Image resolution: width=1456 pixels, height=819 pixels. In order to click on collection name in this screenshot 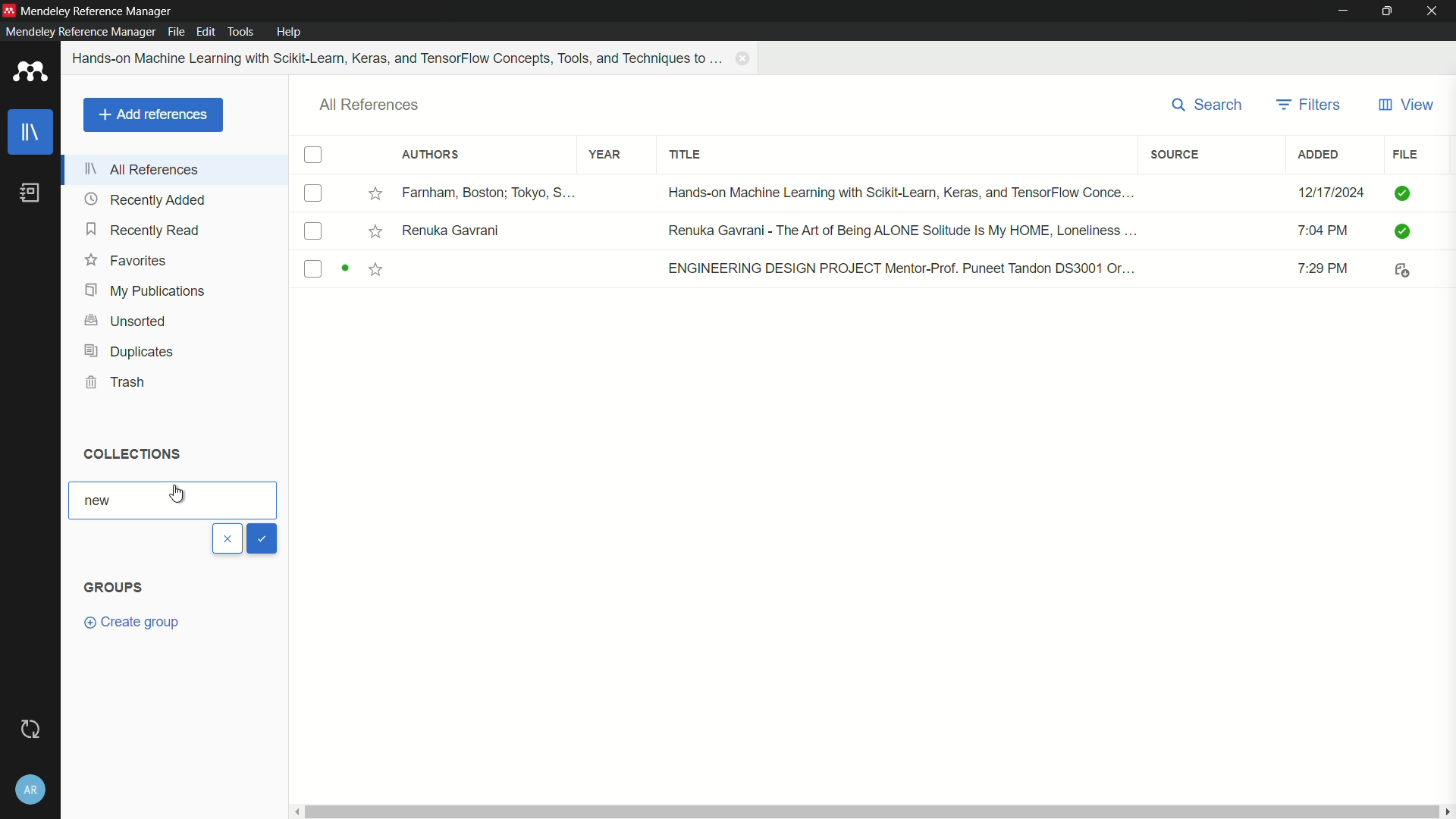, I will do `click(103, 501)`.